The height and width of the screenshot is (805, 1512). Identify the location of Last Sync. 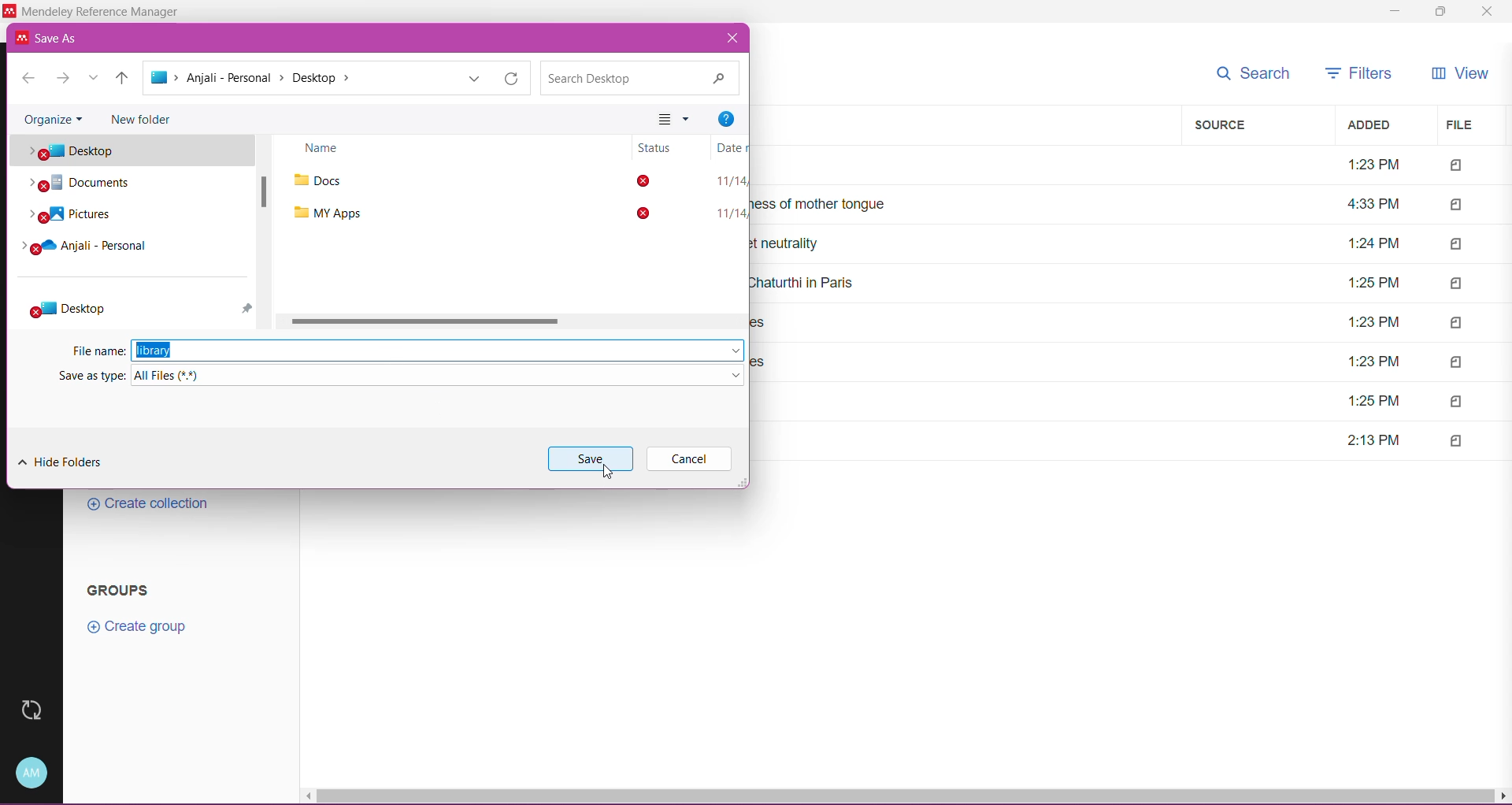
(39, 710).